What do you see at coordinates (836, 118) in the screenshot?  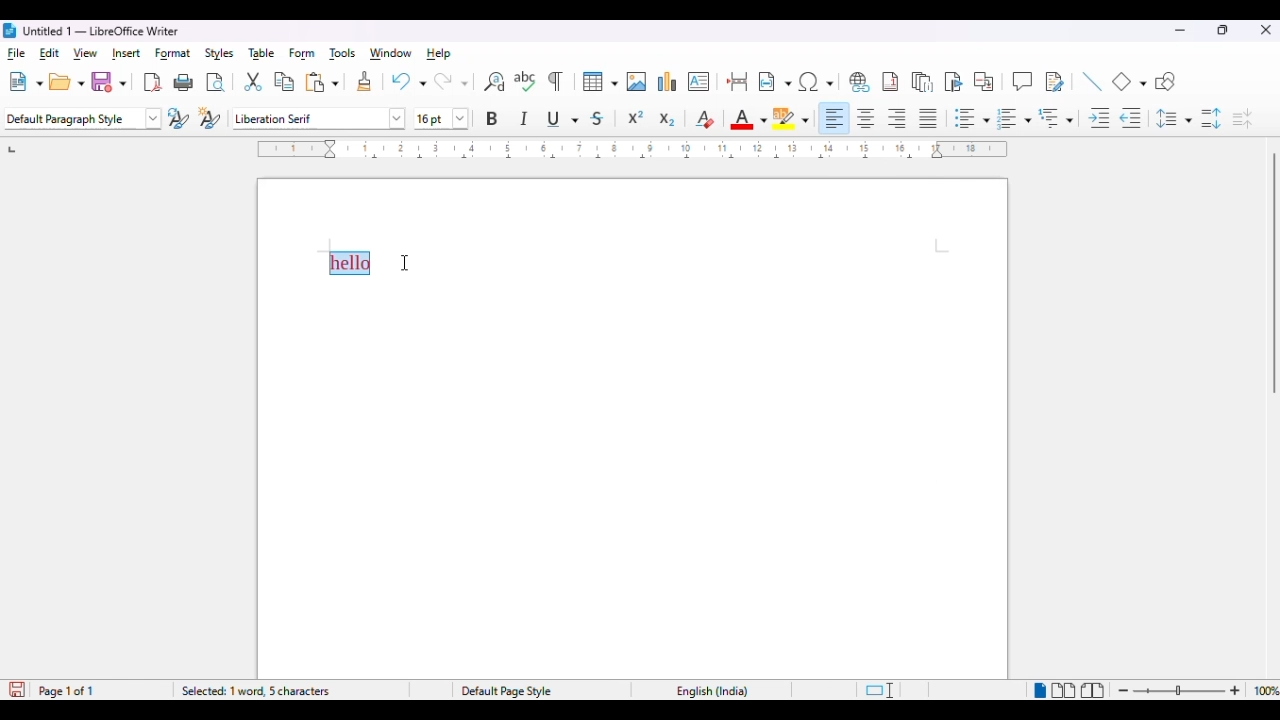 I see `align left` at bounding box center [836, 118].